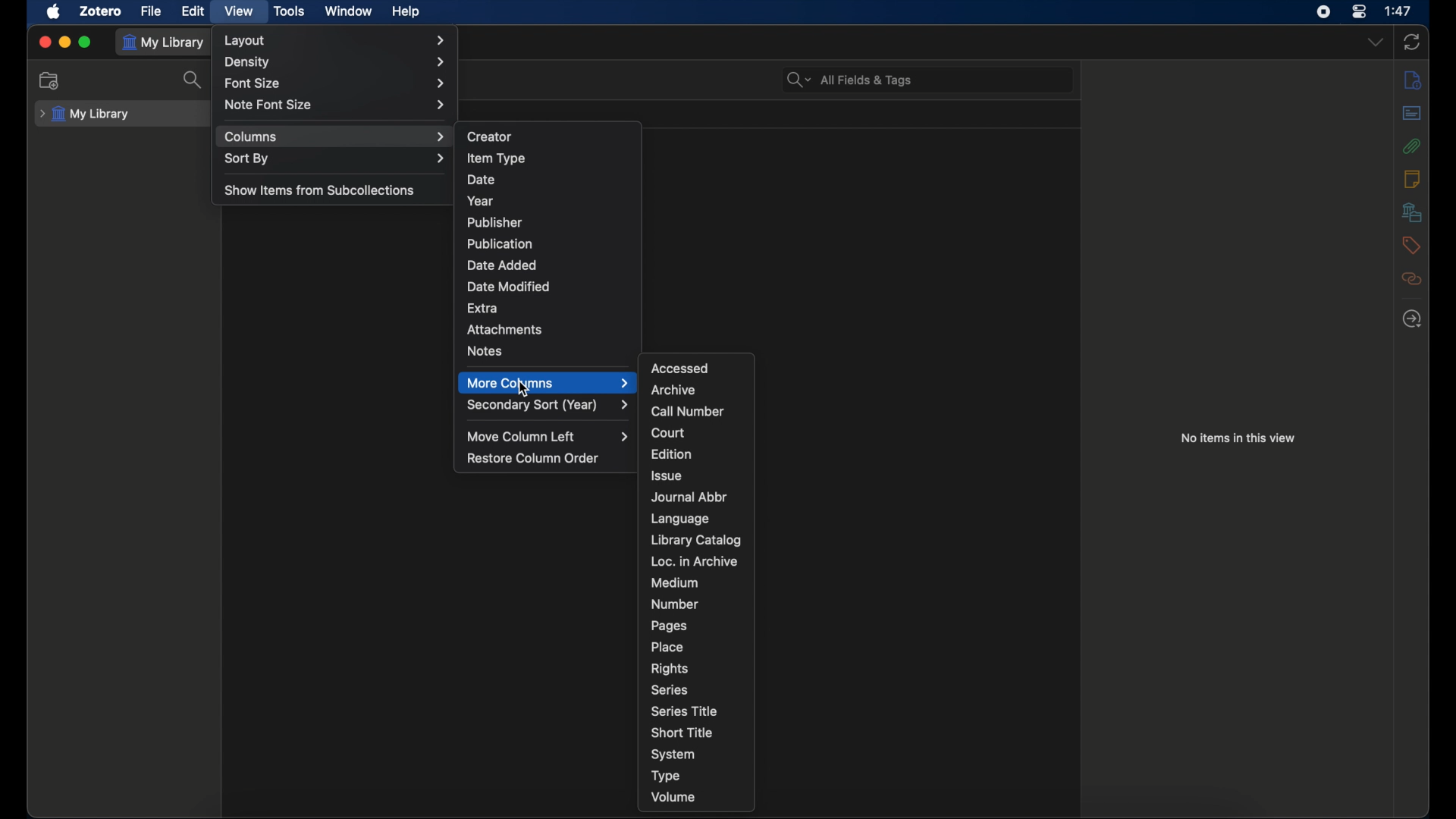  Describe the element at coordinates (88, 115) in the screenshot. I see `my library` at that location.